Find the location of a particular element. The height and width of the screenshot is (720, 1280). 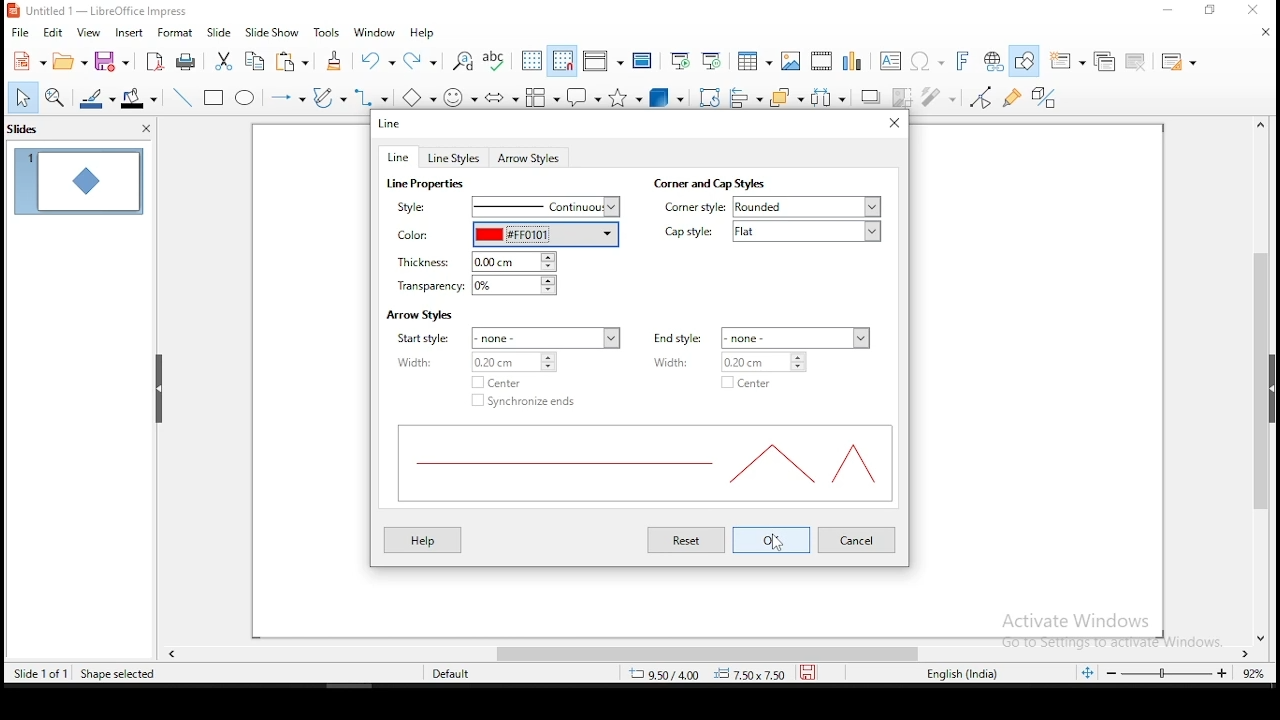

thickness is located at coordinates (417, 262).